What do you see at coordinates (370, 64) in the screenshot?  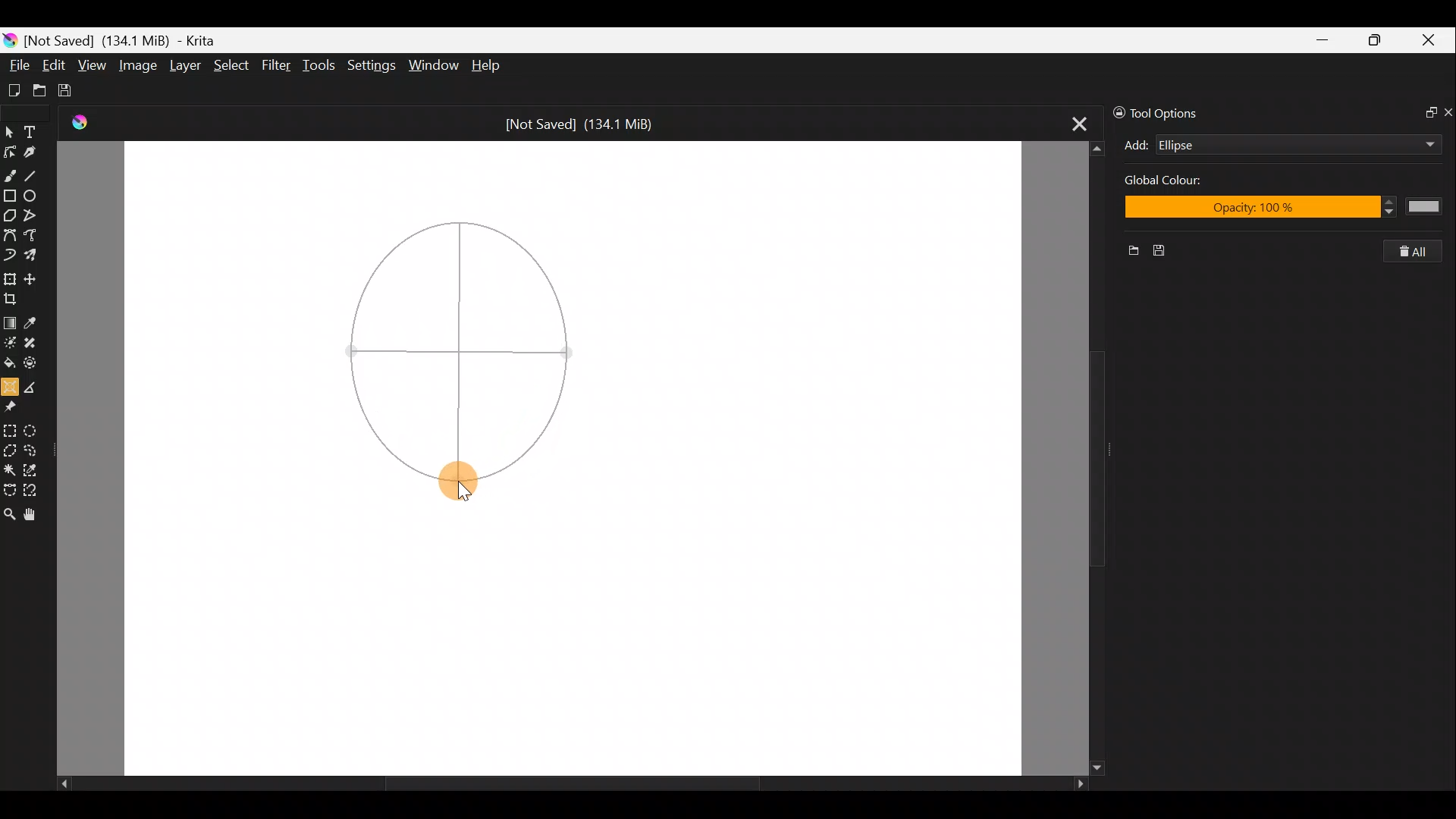 I see `Settings` at bounding box center [370, 64].